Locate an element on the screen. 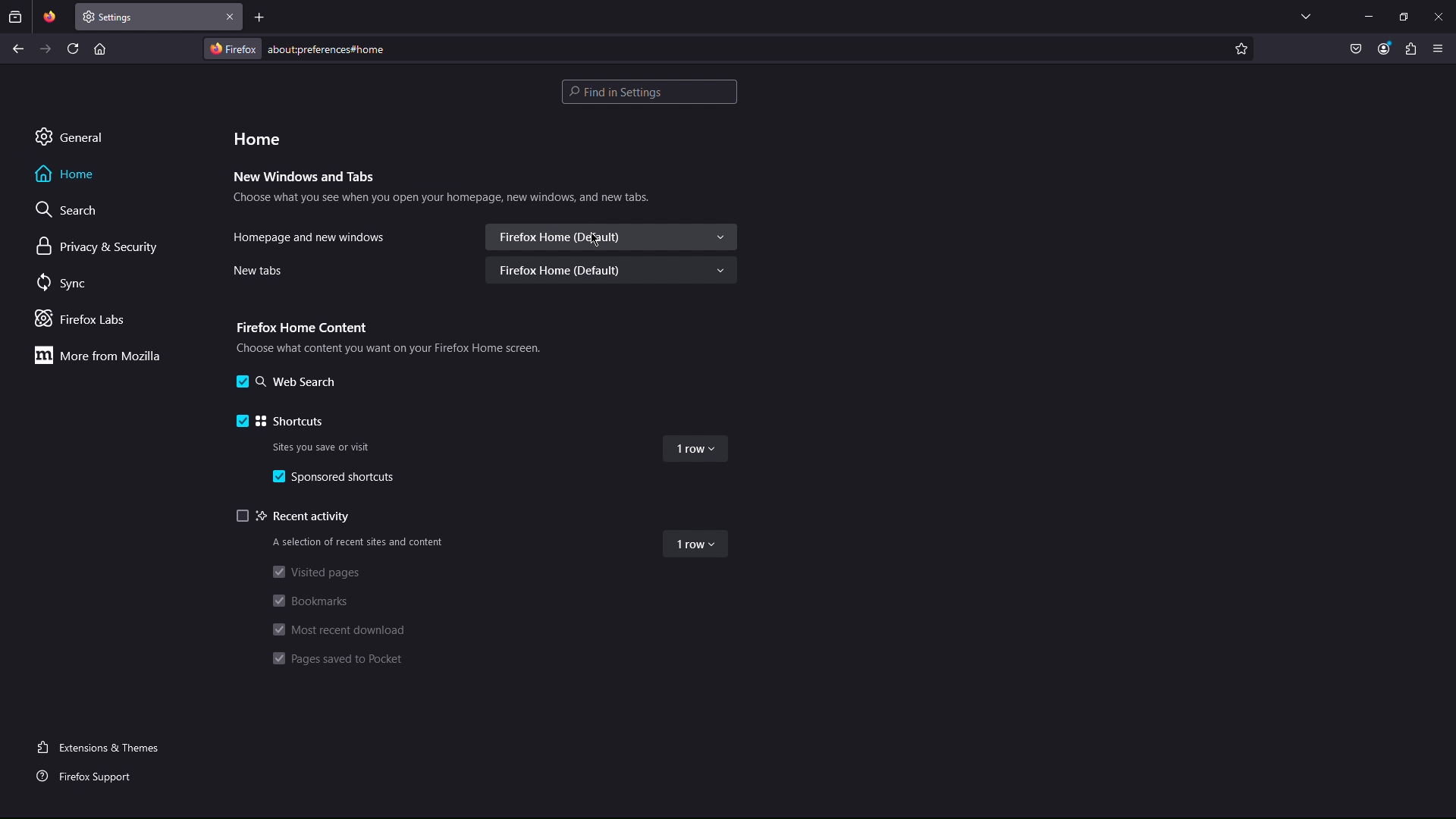 This screenshot has width=1456, height=819. Plugin is located at coordinates (1411, 50).